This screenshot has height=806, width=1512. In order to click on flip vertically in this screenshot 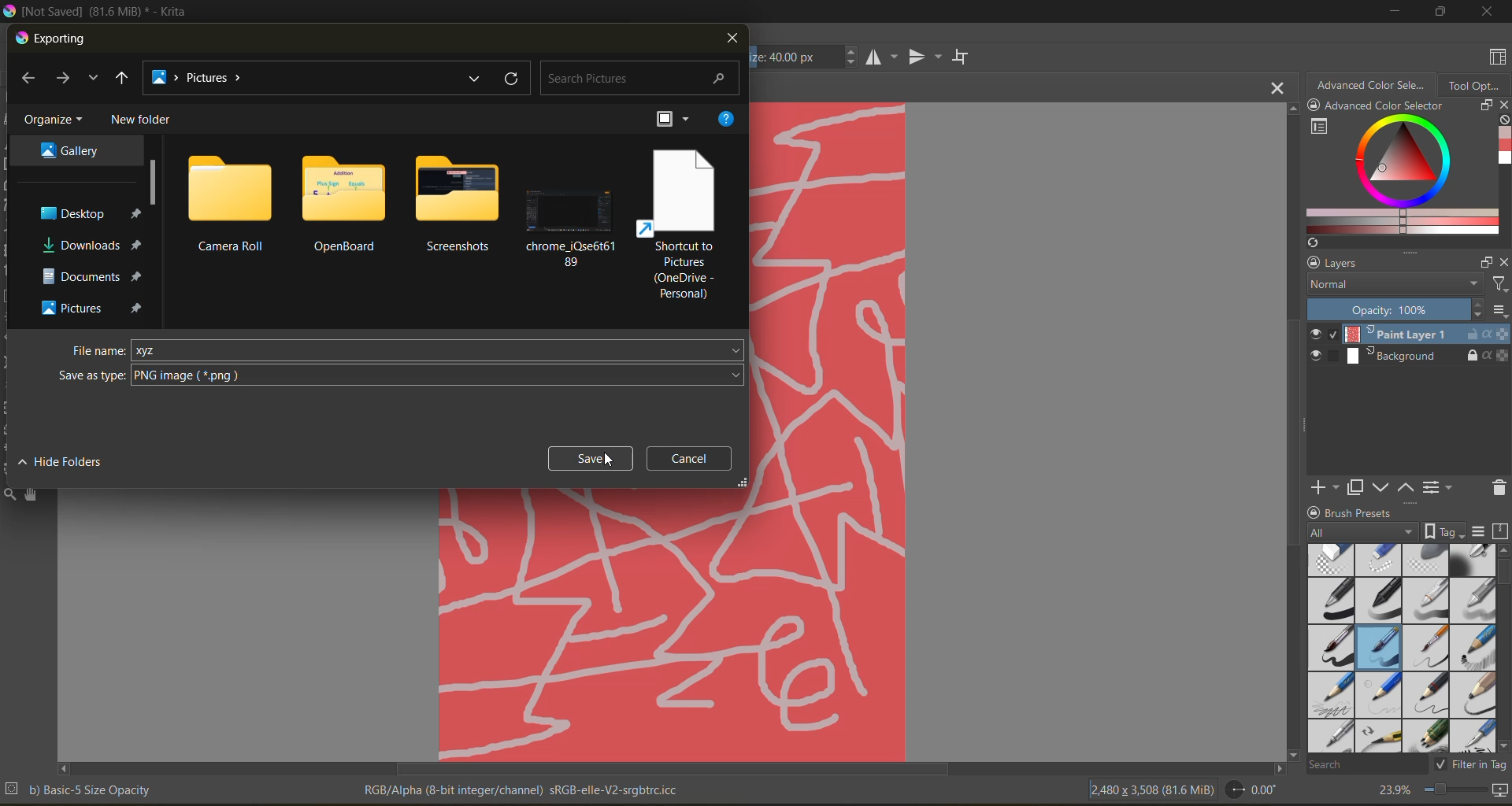, I will do `click(922, 58)`.